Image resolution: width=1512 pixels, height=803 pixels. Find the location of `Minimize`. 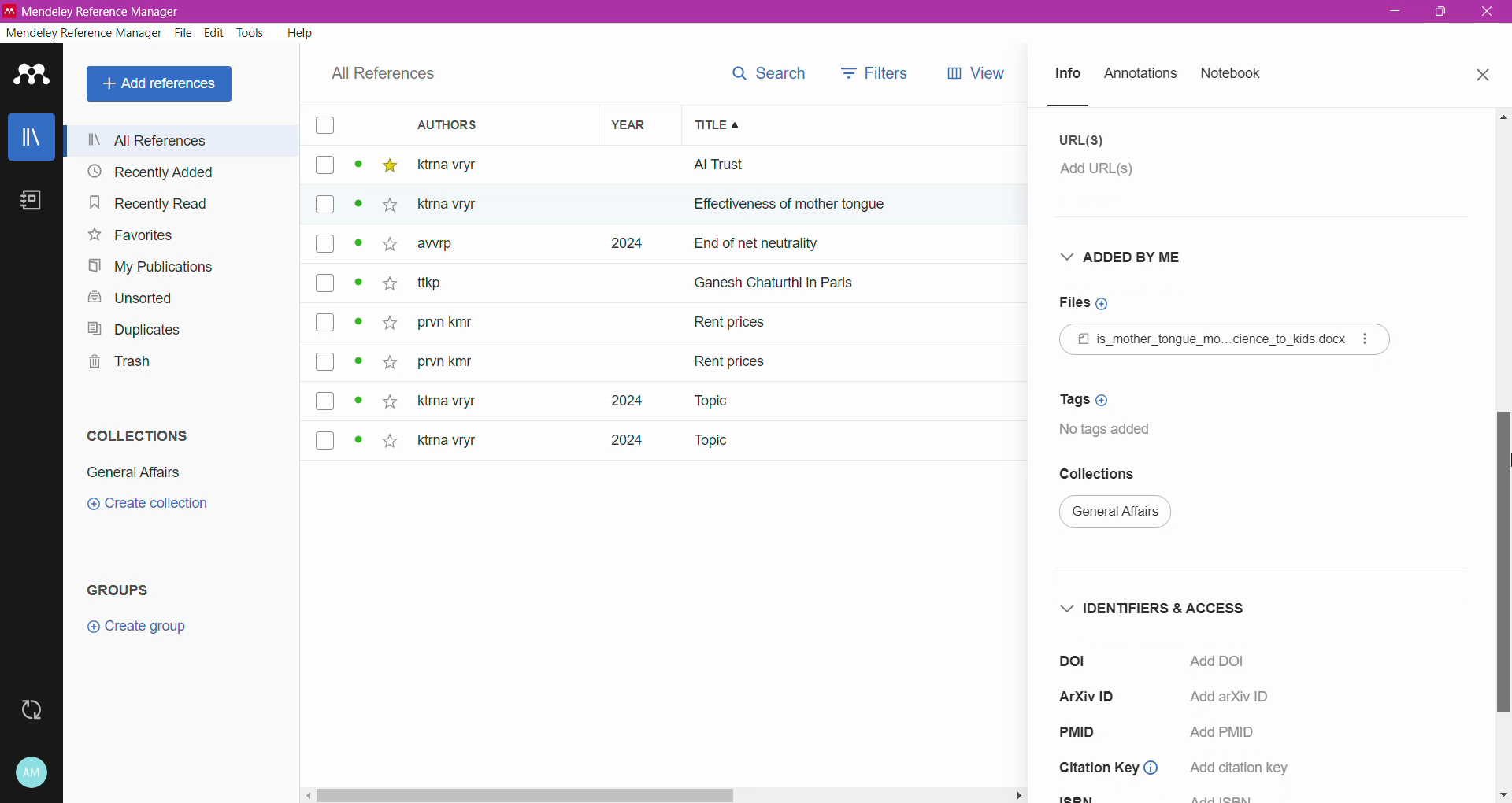

Minimize is located at coordinates (1397, 12).